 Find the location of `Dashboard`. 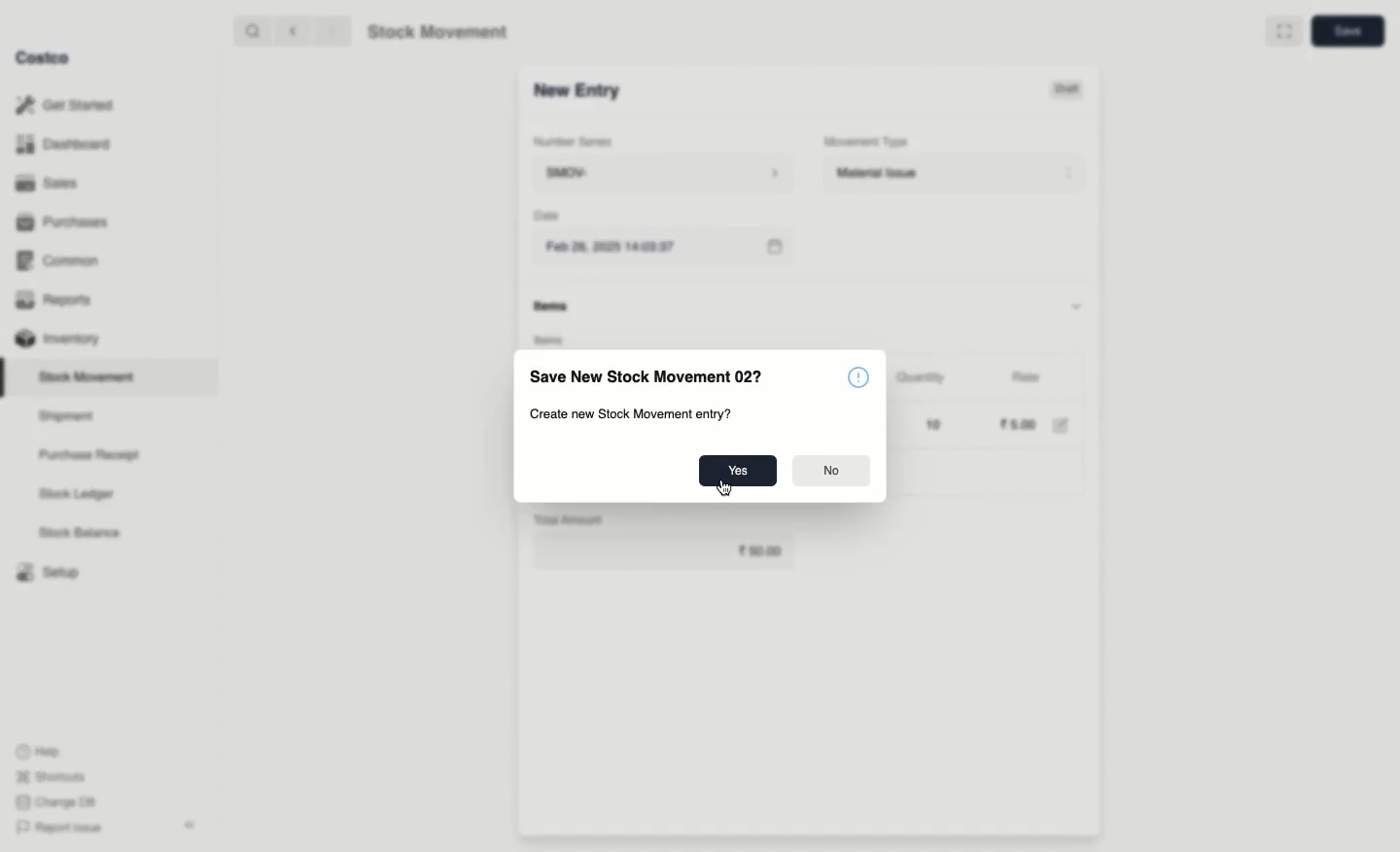

Dashboard is located at coordinates (65, 146).